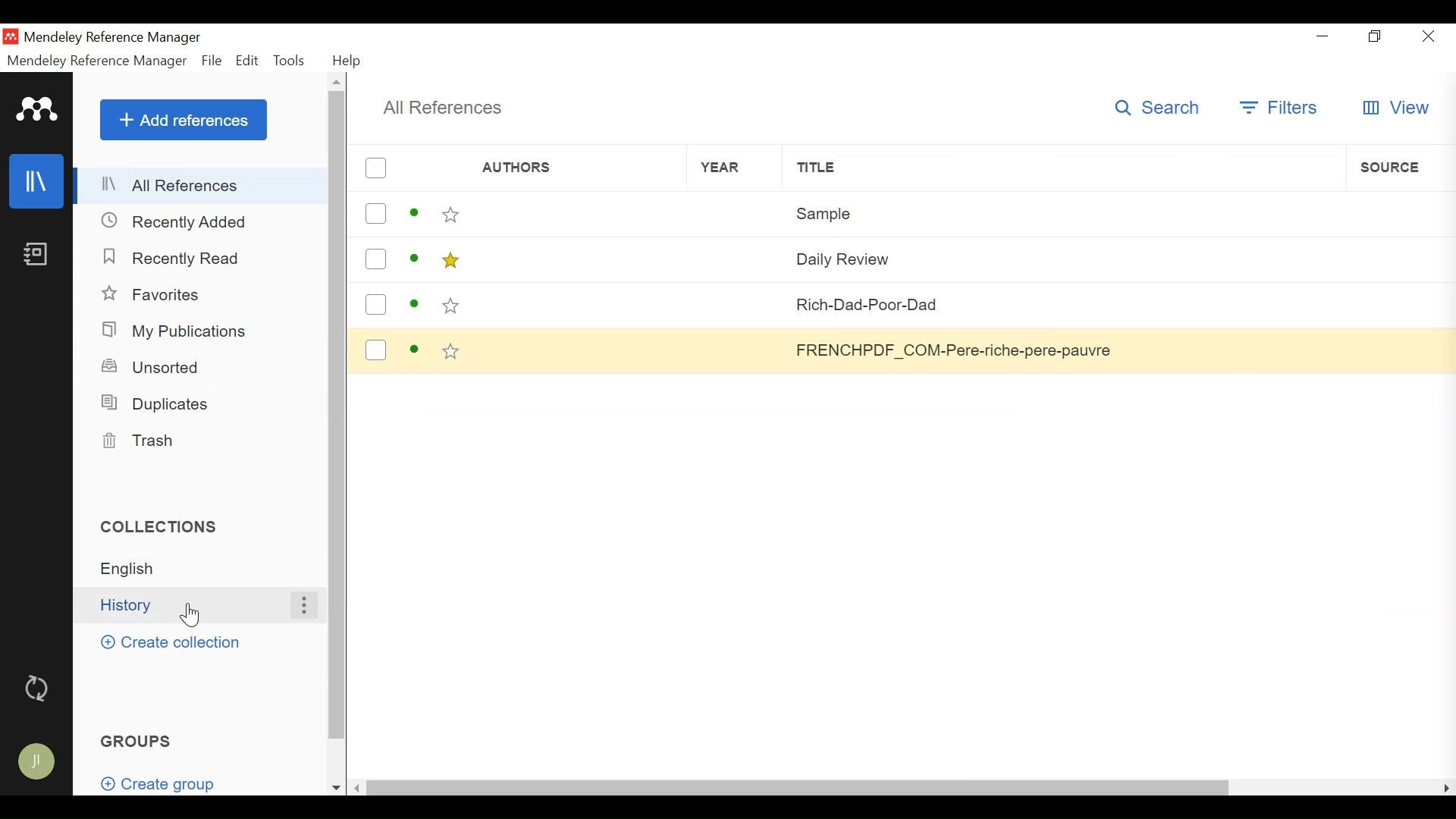 Image resolution: width=1456 pixels, height=819 pixels. I want to click on Scroll up, so click(337, 81).